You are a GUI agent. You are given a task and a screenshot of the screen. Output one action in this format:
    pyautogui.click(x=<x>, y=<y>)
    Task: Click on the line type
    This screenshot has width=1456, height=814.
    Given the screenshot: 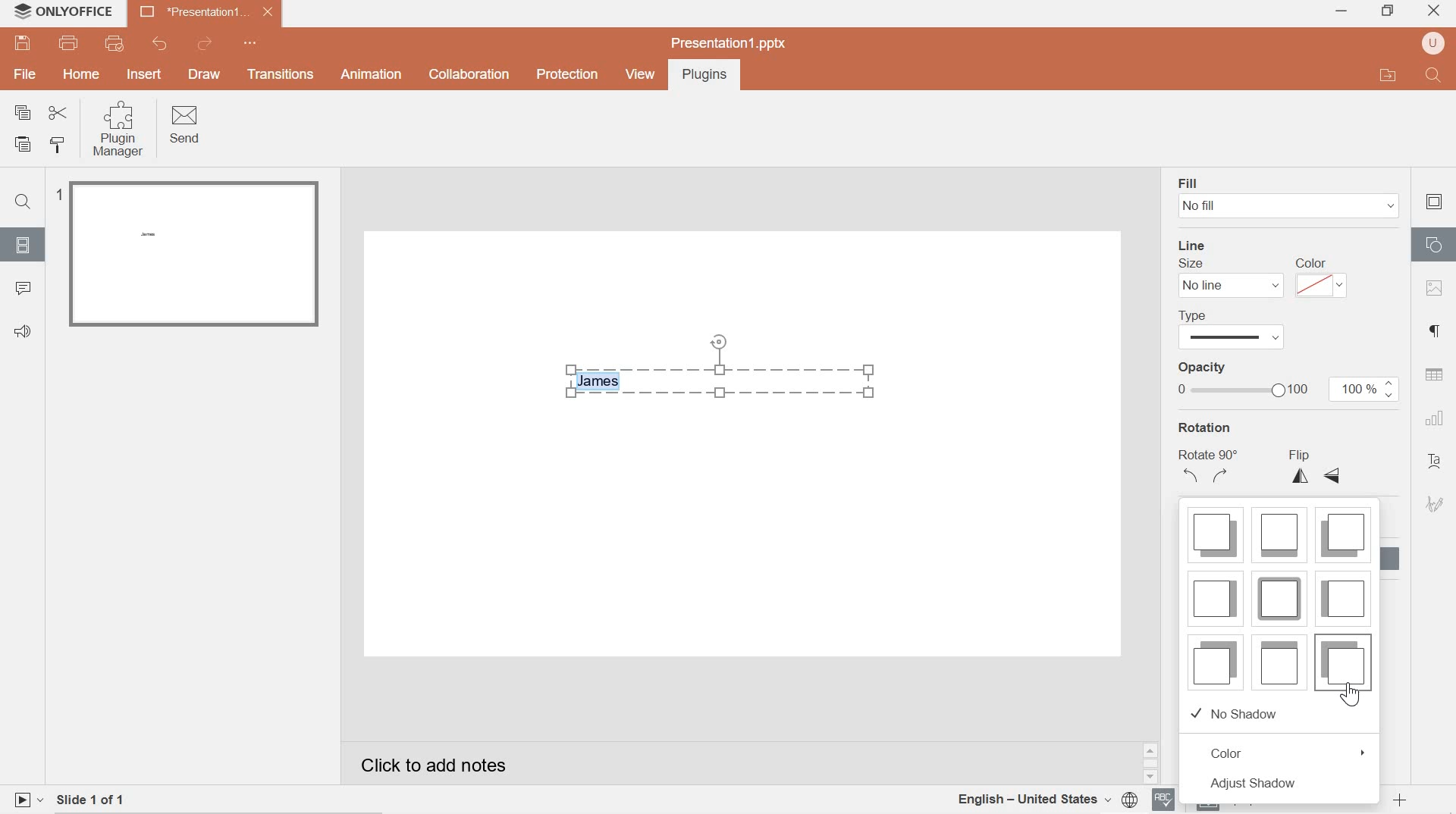 What is the action you would take?
    pyautogui.click(x=1228, y=327)
    